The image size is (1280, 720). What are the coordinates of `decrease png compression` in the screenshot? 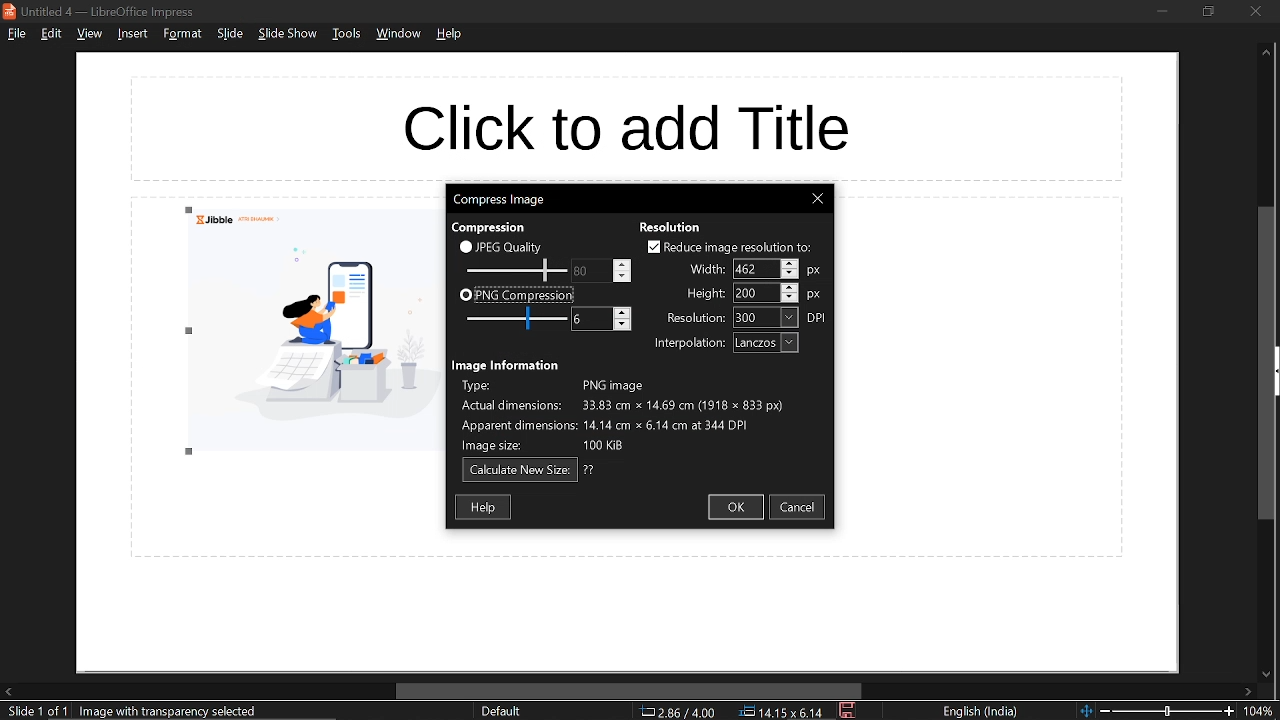 It's located at (622, 326).